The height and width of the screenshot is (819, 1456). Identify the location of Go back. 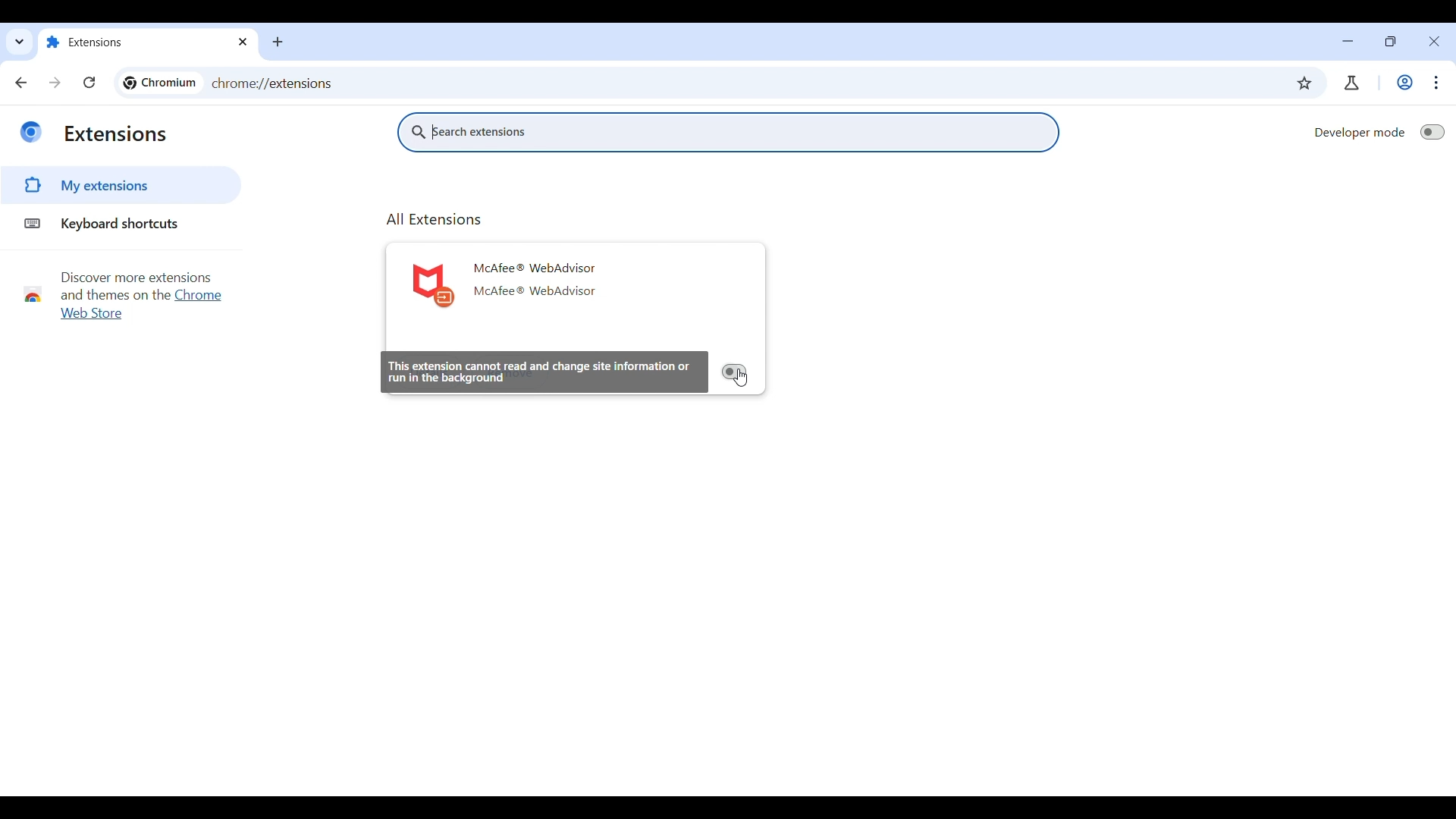
(21, 82).